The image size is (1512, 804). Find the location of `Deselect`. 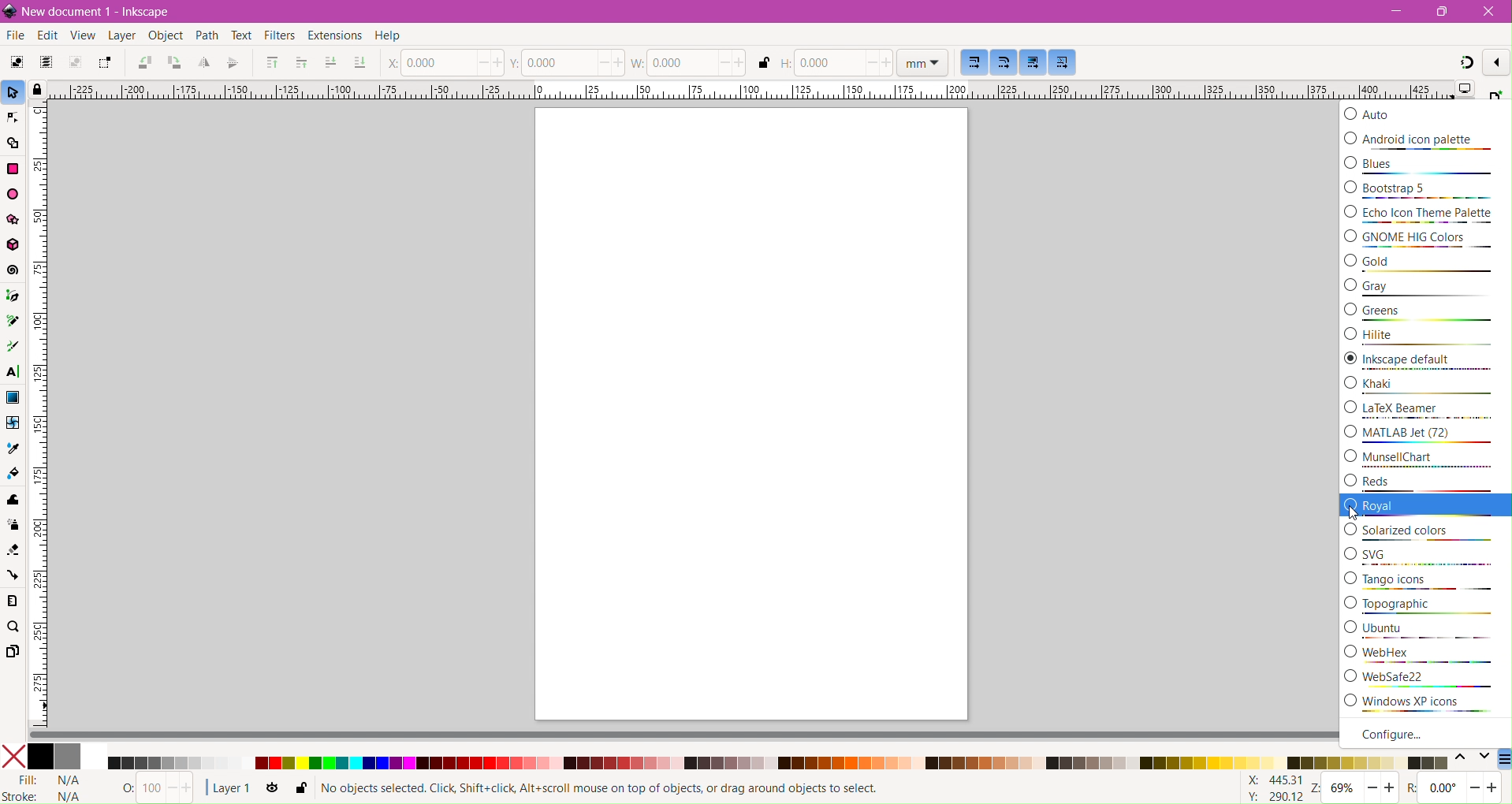

Deselect is located at coordinates (76, 63).